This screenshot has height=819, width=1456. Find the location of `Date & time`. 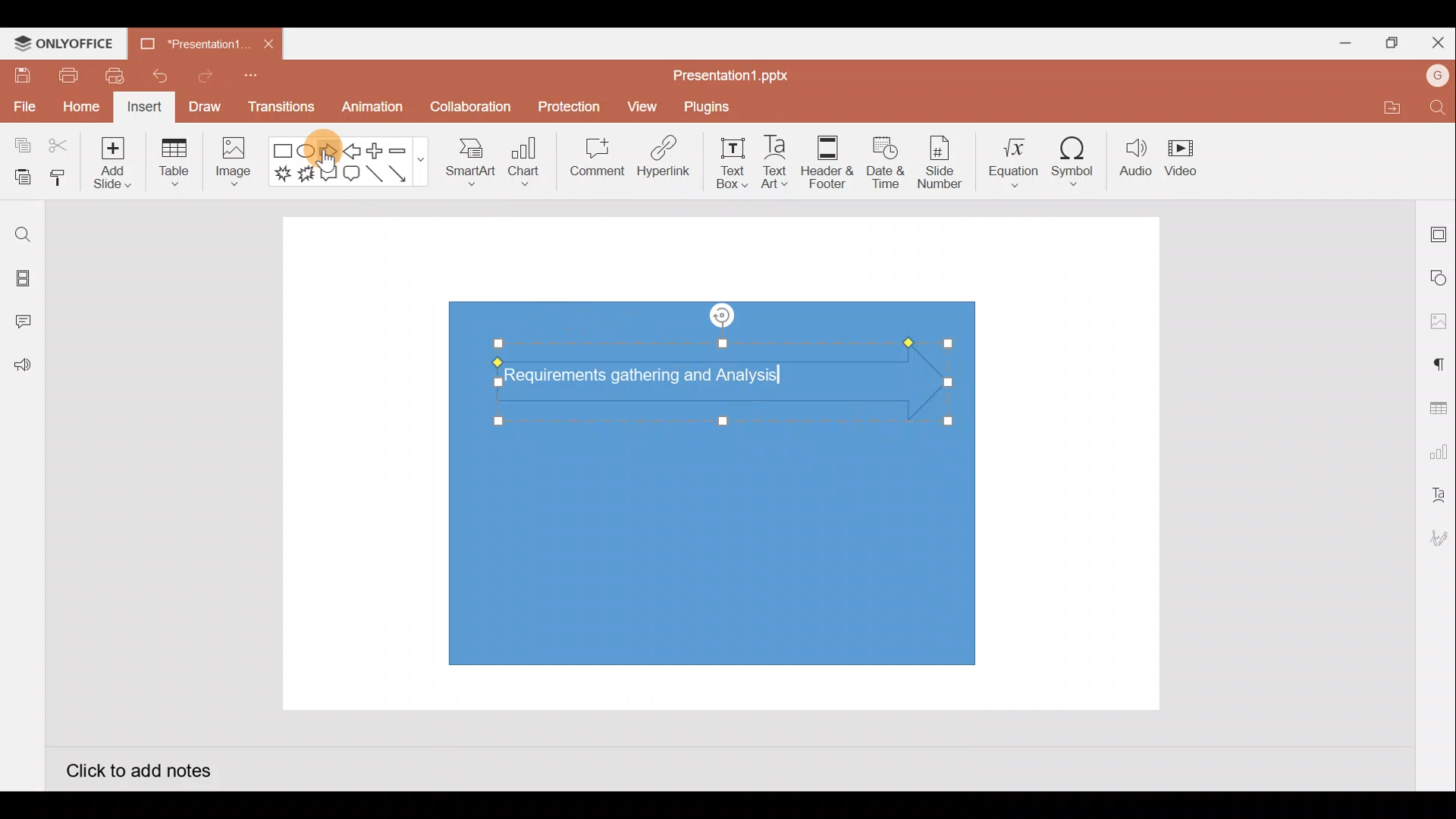

Date & time is located at coordinates (886, 162).